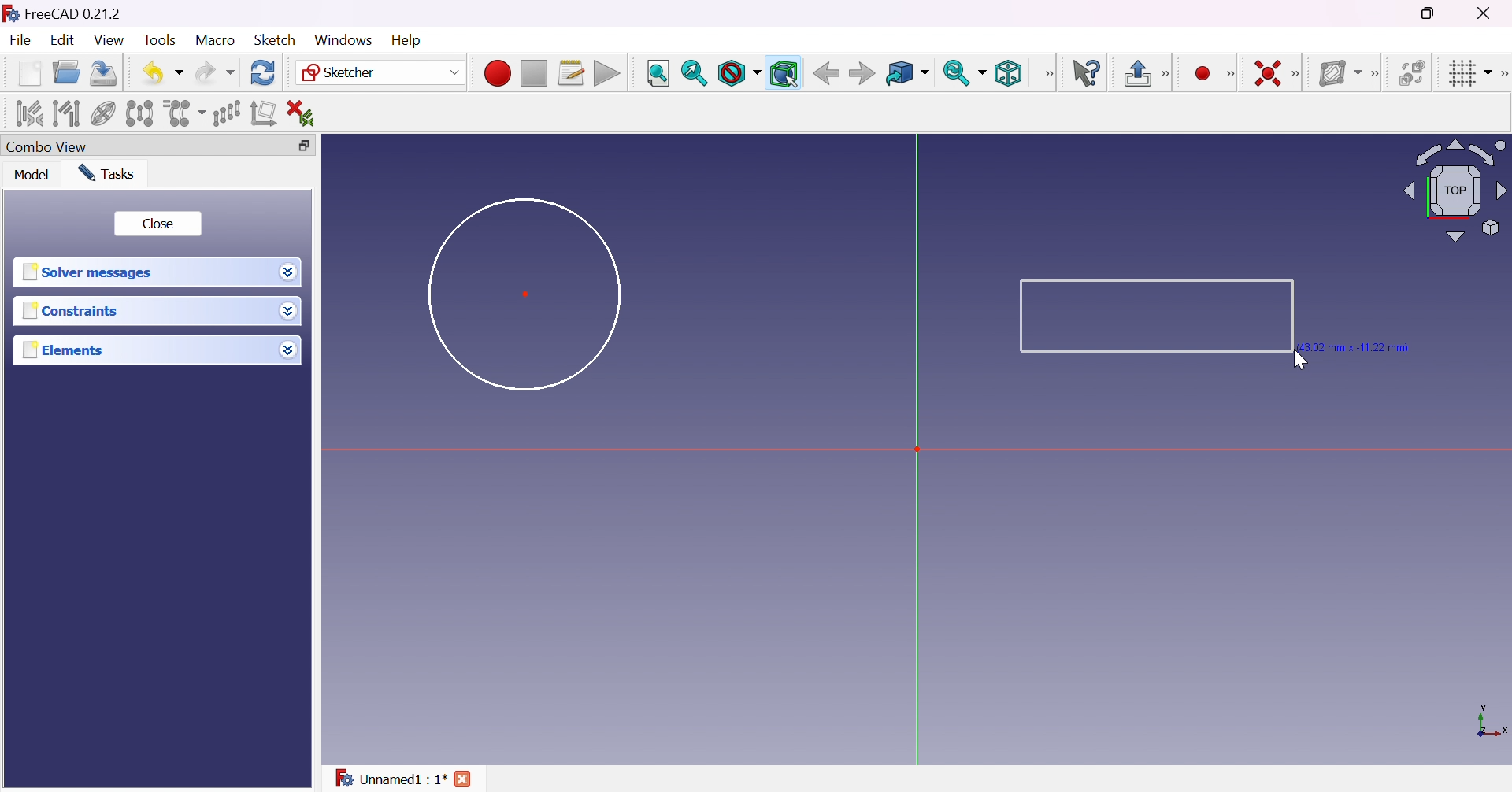 This screenshot has width=1512, height=792. I want to click on Sketch, so click(274, 39).